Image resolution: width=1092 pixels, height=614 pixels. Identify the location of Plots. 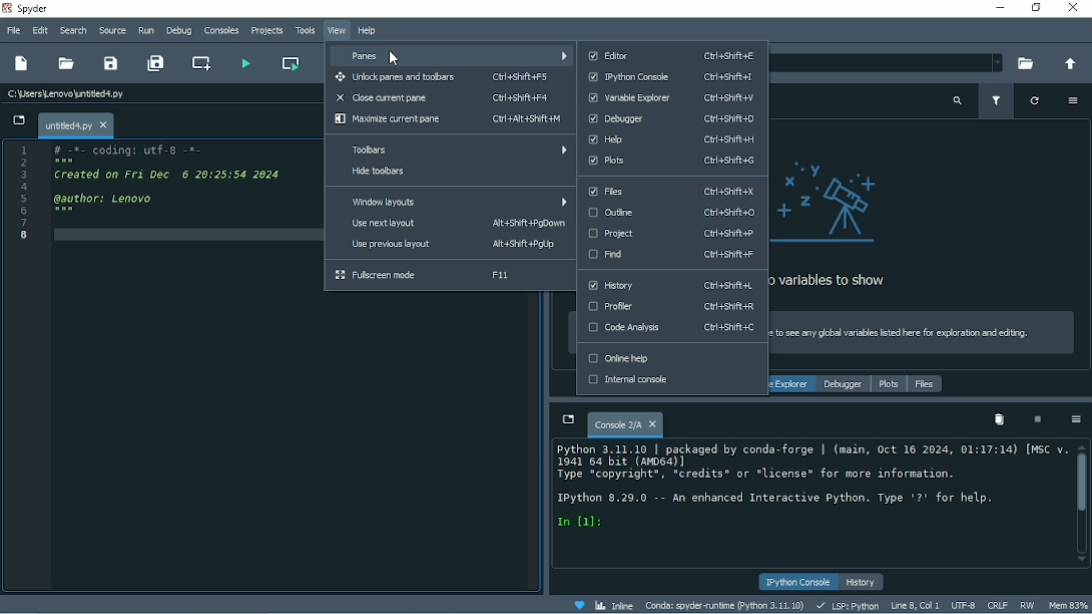
(673, 161).